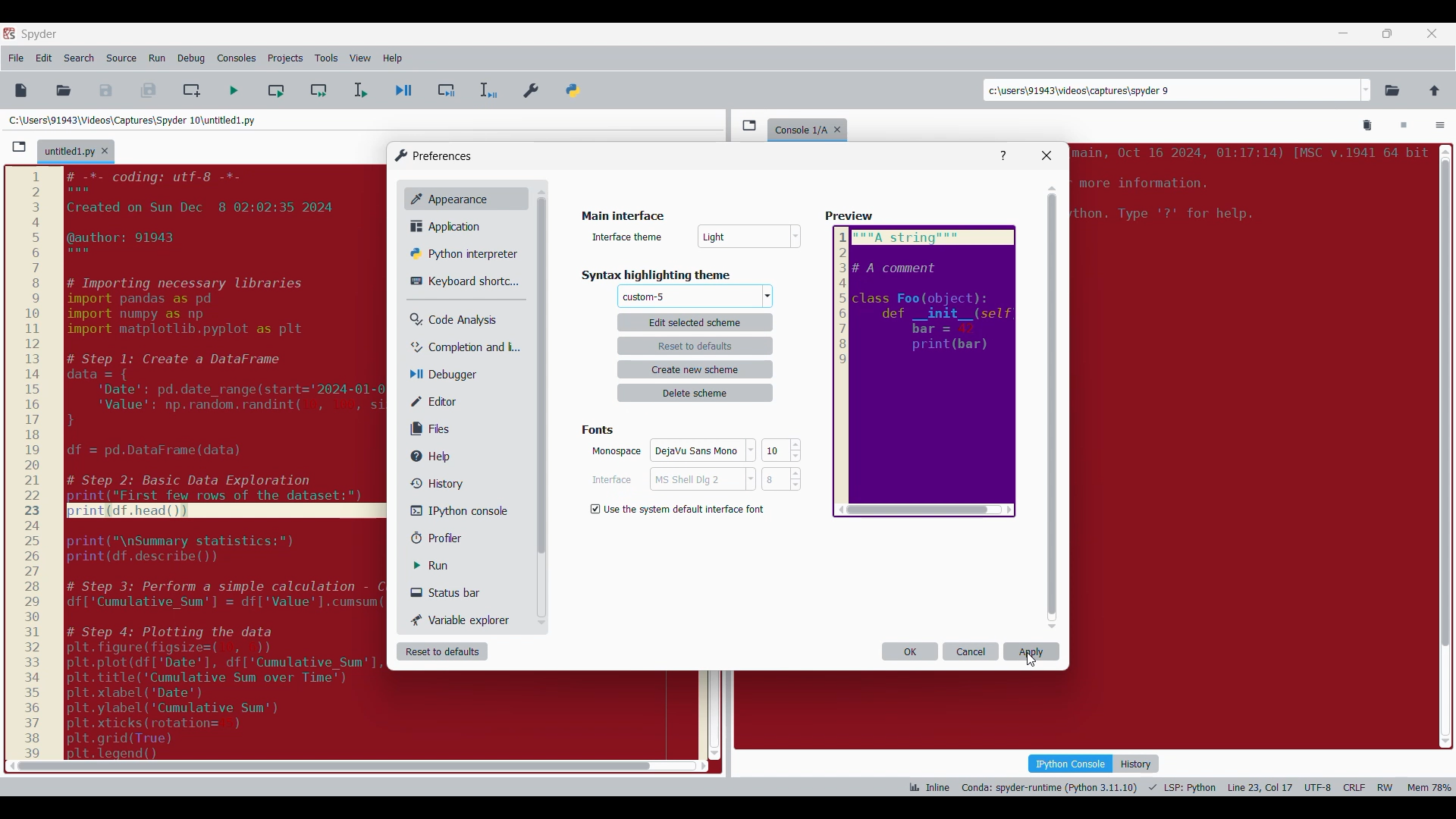 The width and height of the screenshot is (1456, 819). Describe the element at coordinates (442, 566) in the screenshot. I see `Run` at that location.